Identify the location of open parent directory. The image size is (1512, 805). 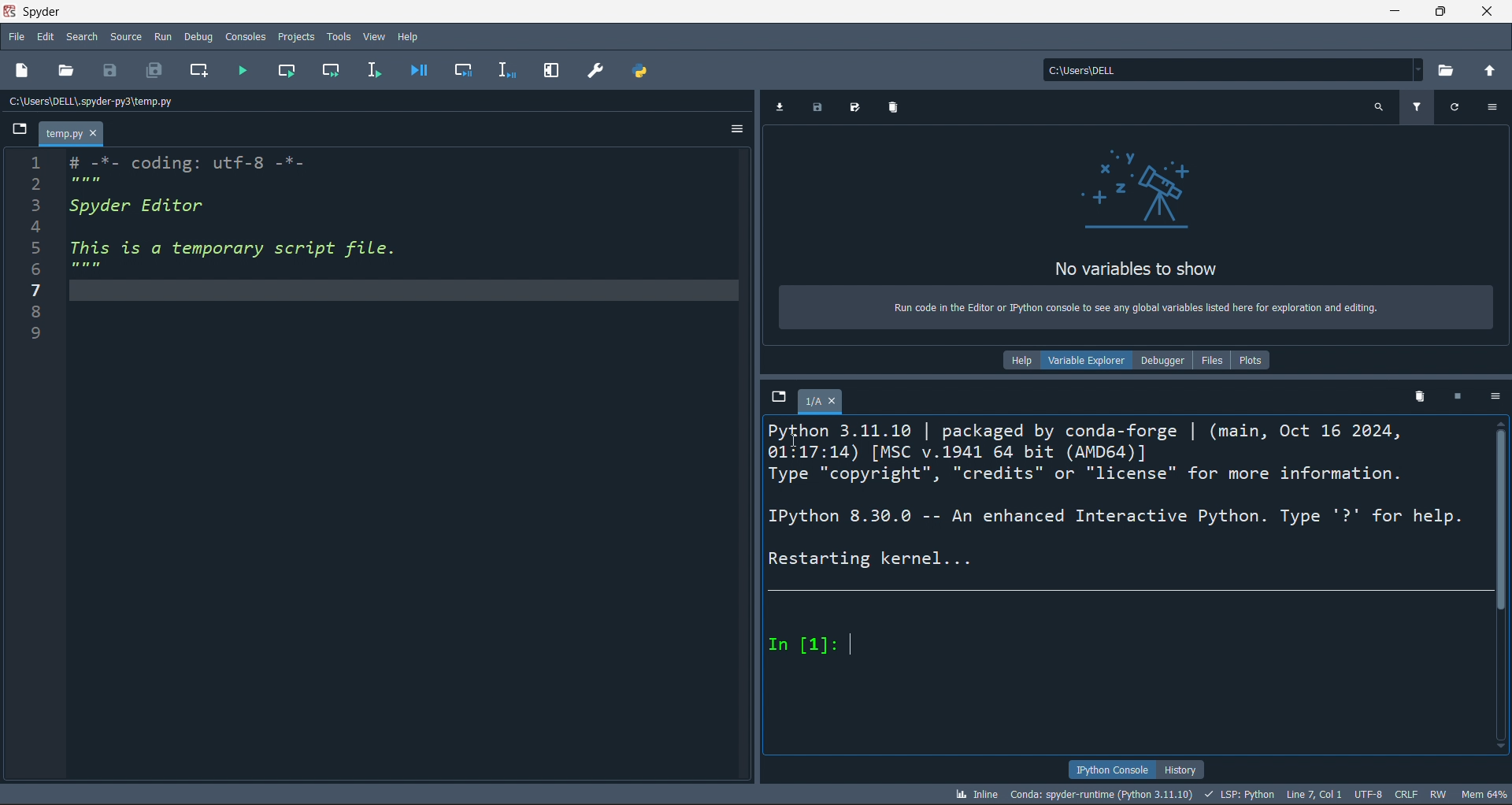
(1492, 72).